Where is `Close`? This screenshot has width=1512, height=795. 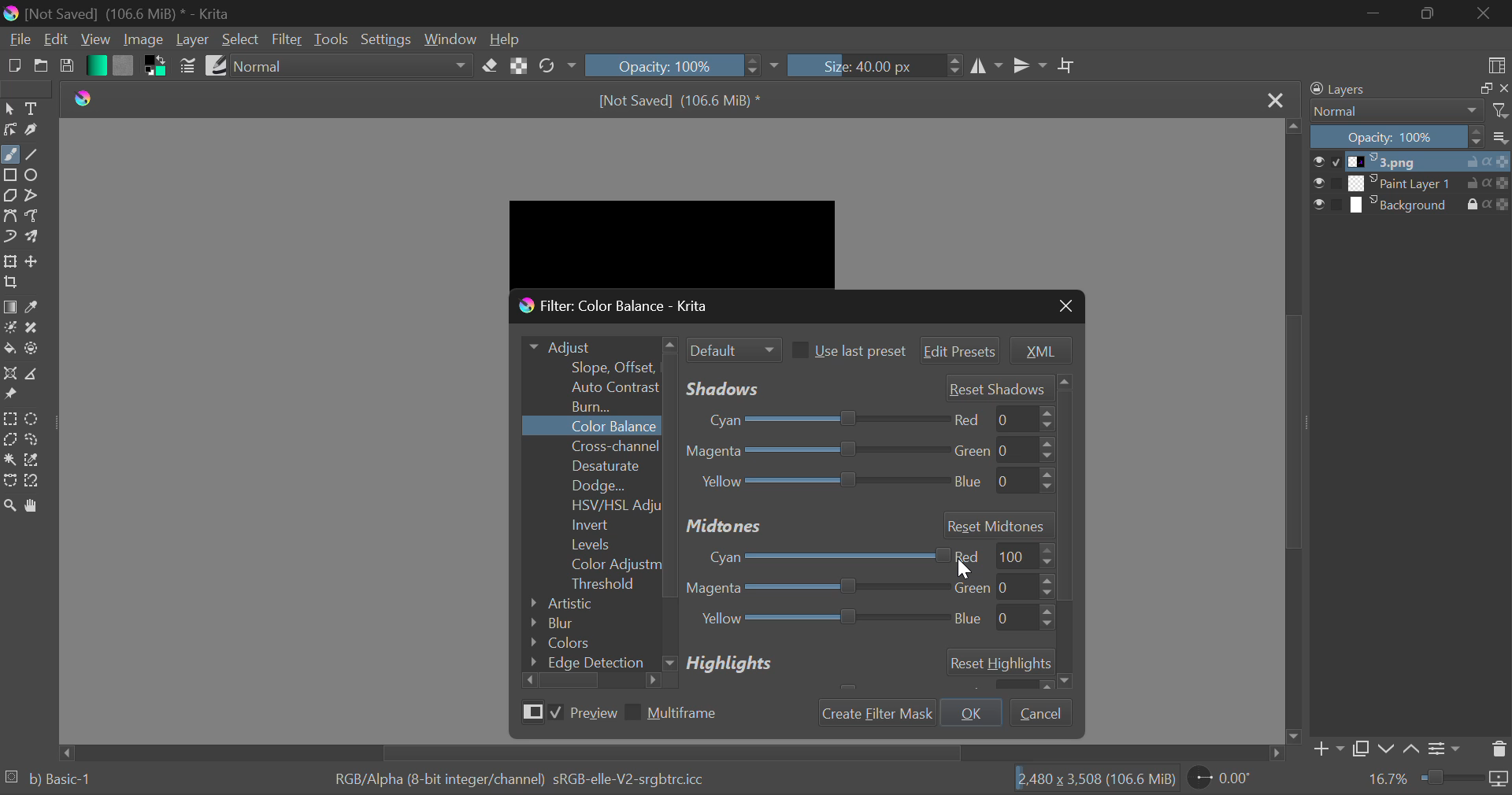
Close is located at coordinates (1067, 307).